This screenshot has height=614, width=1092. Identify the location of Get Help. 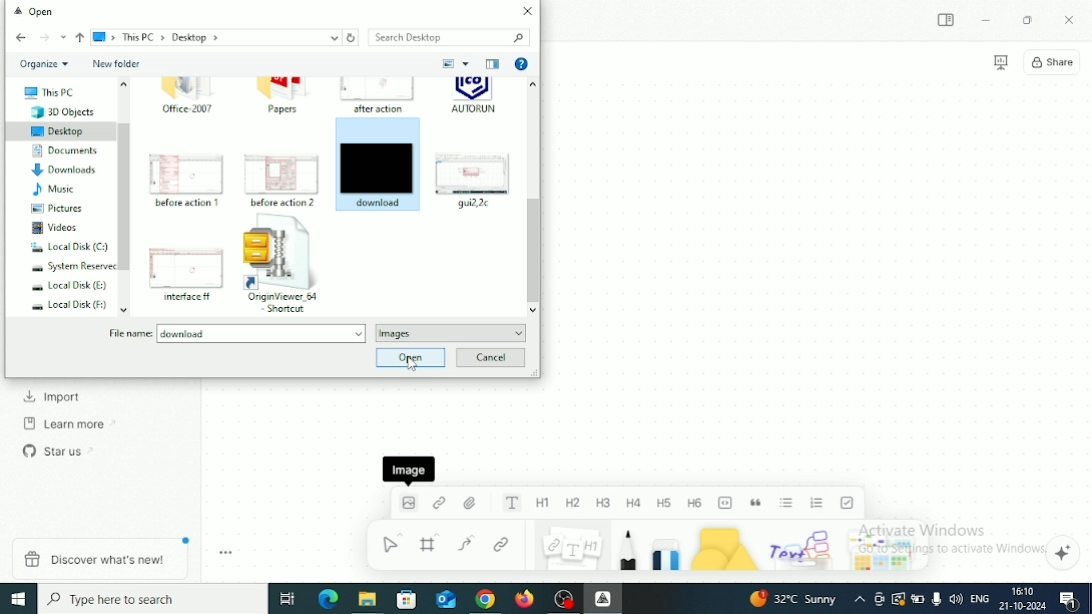
(521, 65).